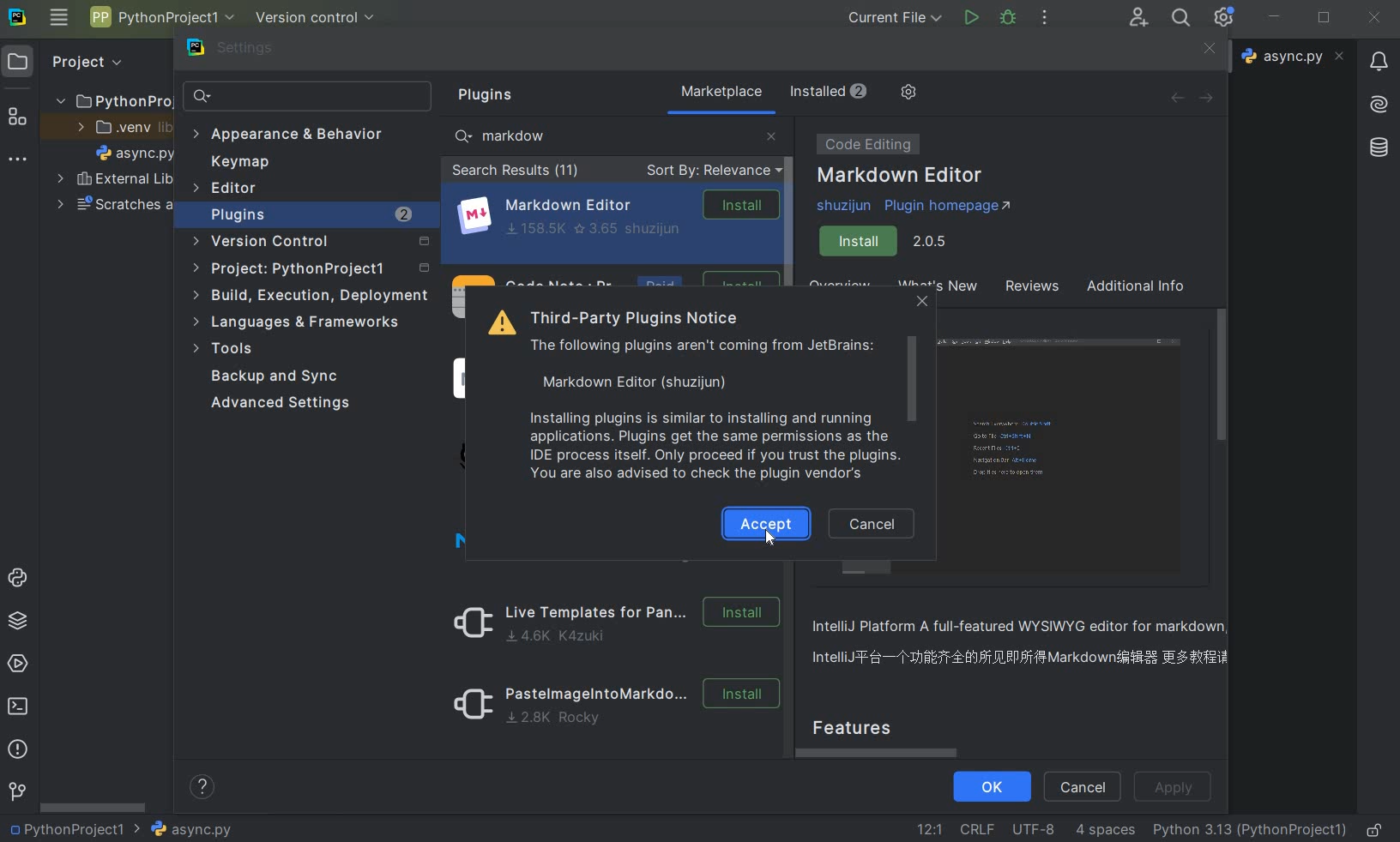 The width and height of the screenshot is (1400, 842). I want to click on tools, so click(227, 351).